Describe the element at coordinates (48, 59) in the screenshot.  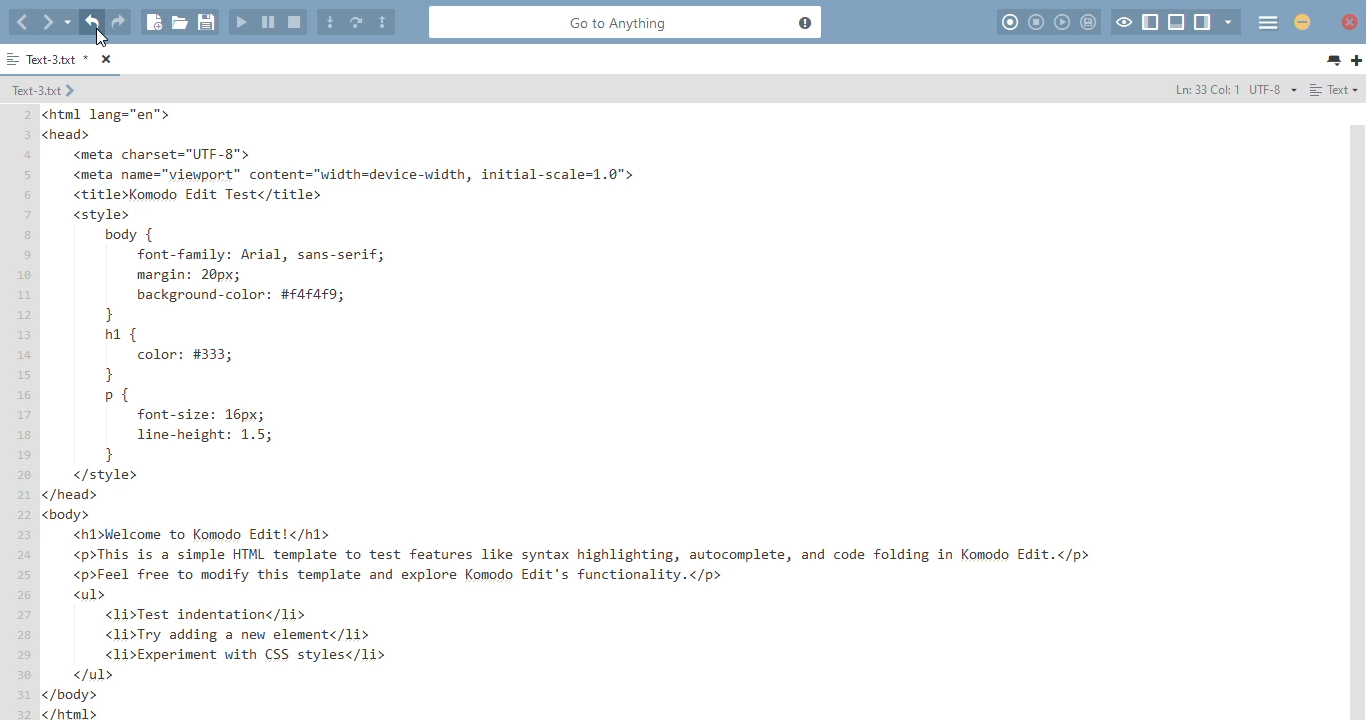
I see `text-3` at that location.